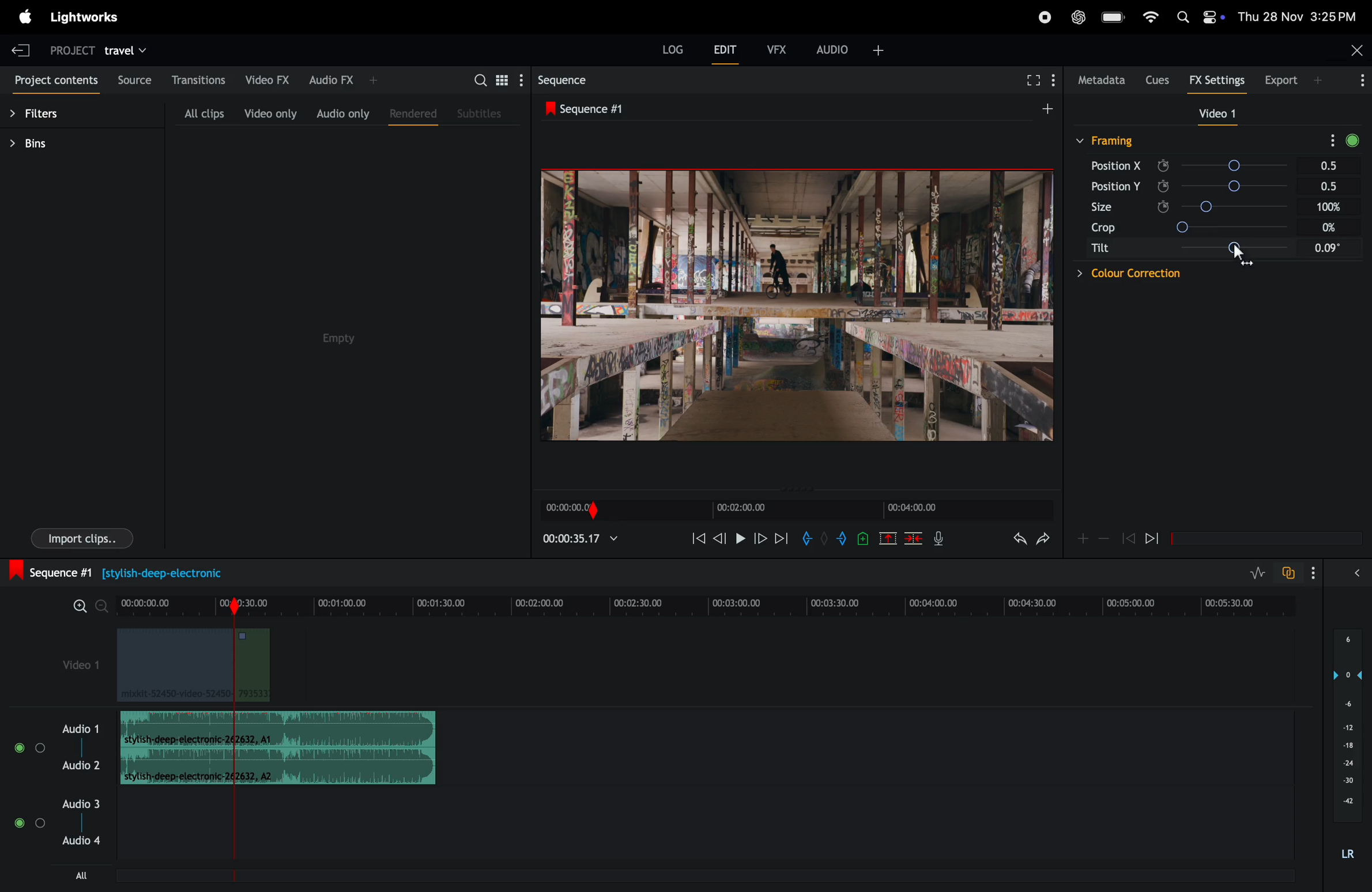 The image size is (1372, 892). Describe the element at coordinates (1148, 18) in the screenshot. I see `wifi` at that location.